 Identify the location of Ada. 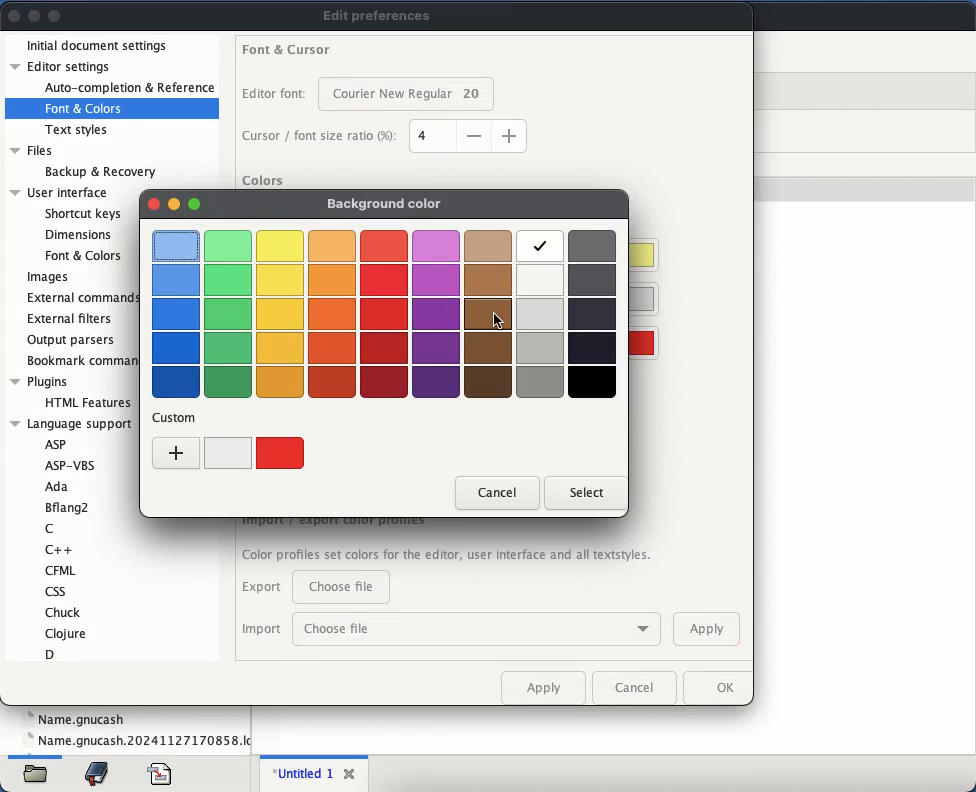
(57, 487).